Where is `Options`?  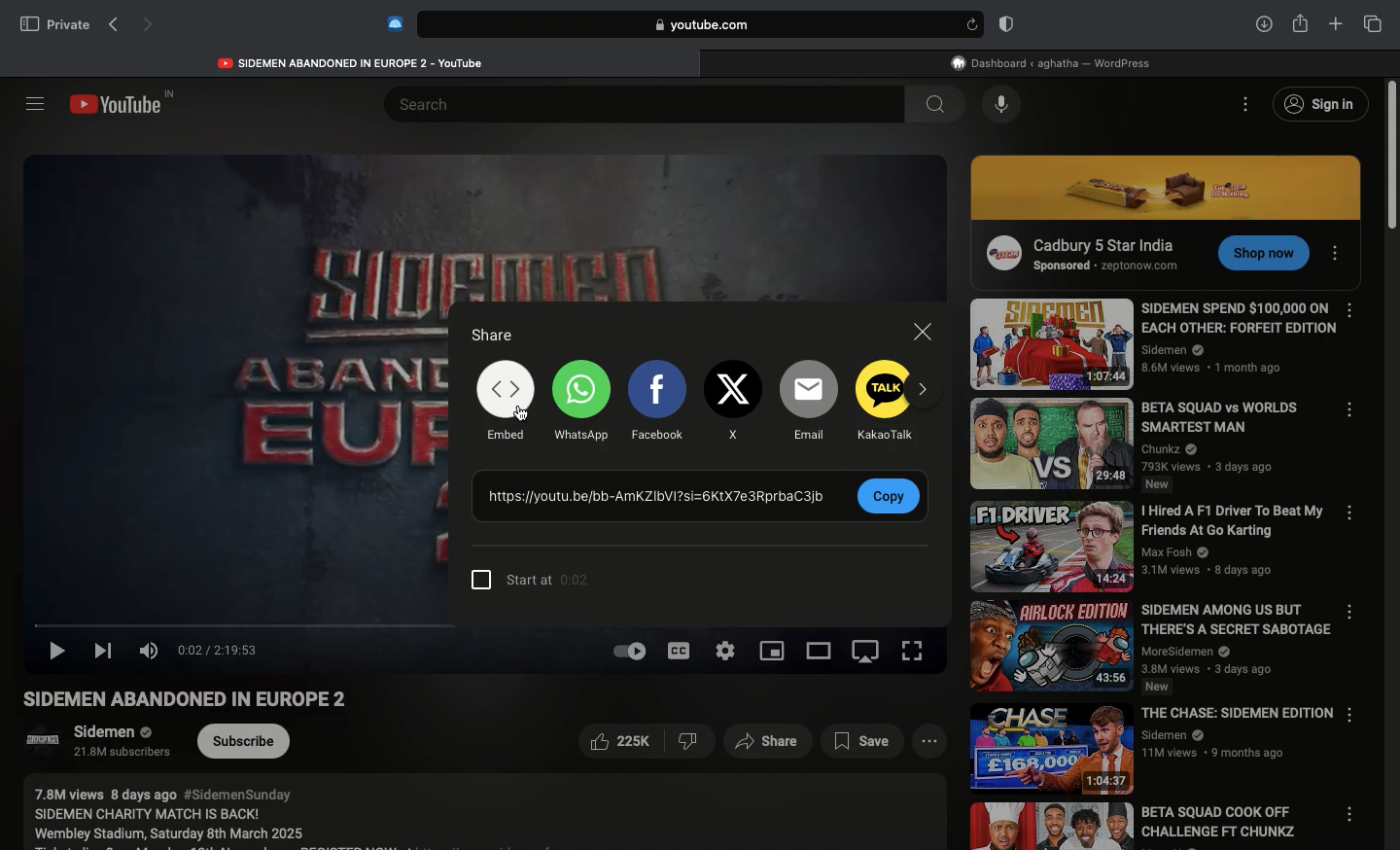 Options is located at coordinates (1247, 103).